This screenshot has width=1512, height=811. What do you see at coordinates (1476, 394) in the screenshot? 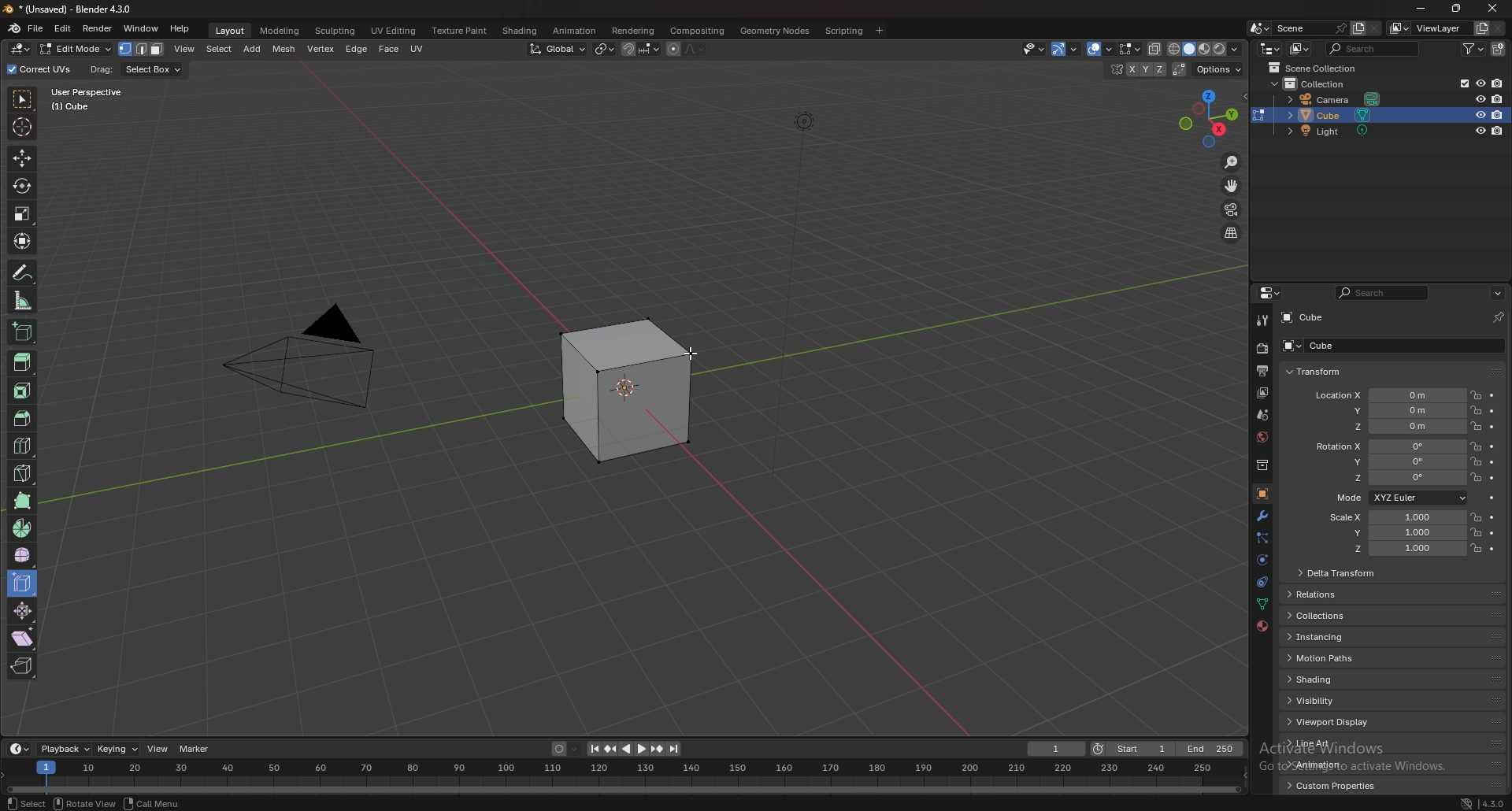
I see `lock` at bounding box center [1476, 394].